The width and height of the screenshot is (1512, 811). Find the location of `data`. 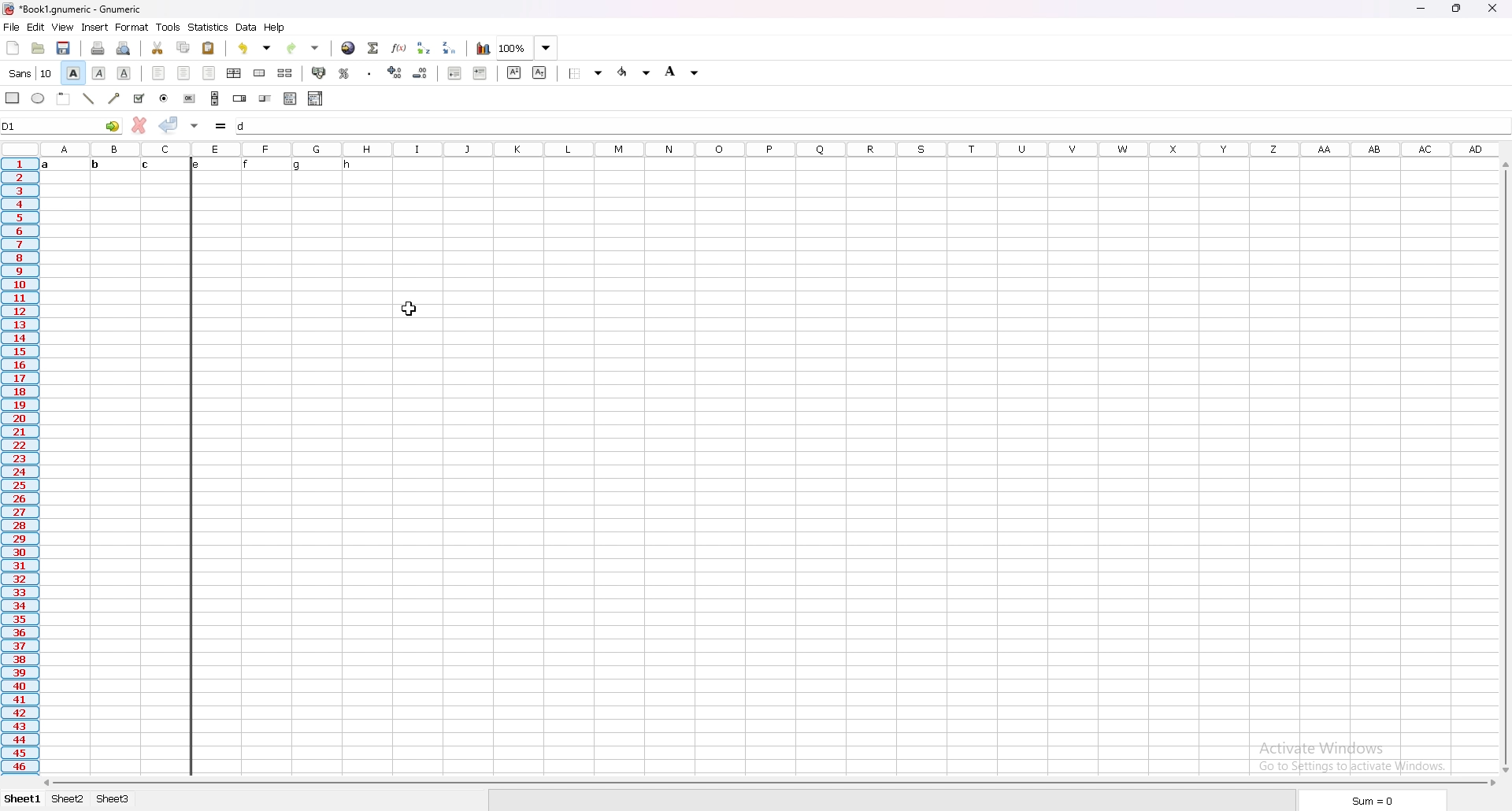

data is located at coordinates (247, 27).